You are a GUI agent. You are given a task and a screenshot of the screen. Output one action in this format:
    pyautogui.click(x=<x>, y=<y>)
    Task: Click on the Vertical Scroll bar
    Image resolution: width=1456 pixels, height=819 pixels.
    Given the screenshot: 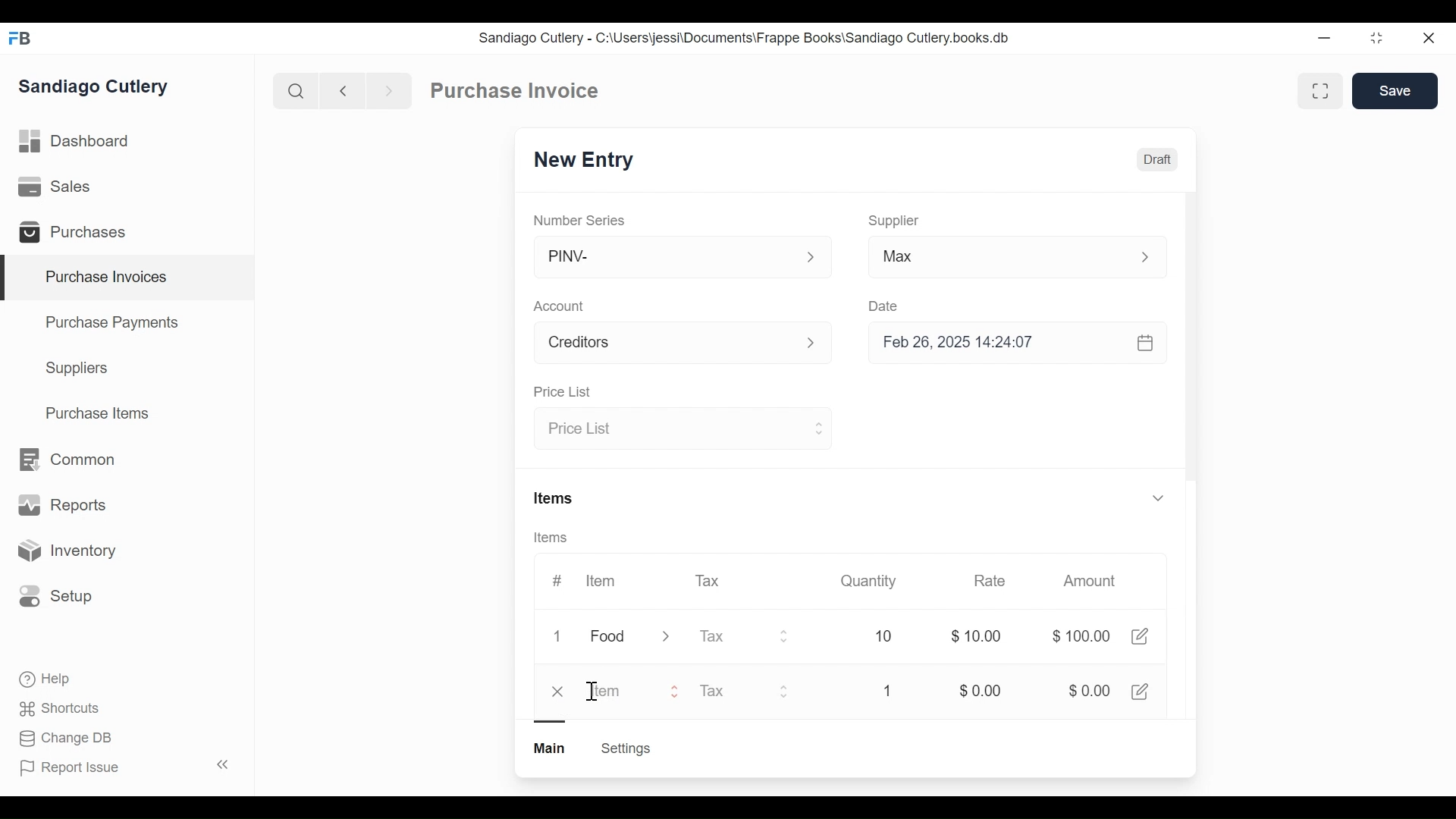 What is the action you would take?
    pyautogui.click(x=1191, y=358)
    